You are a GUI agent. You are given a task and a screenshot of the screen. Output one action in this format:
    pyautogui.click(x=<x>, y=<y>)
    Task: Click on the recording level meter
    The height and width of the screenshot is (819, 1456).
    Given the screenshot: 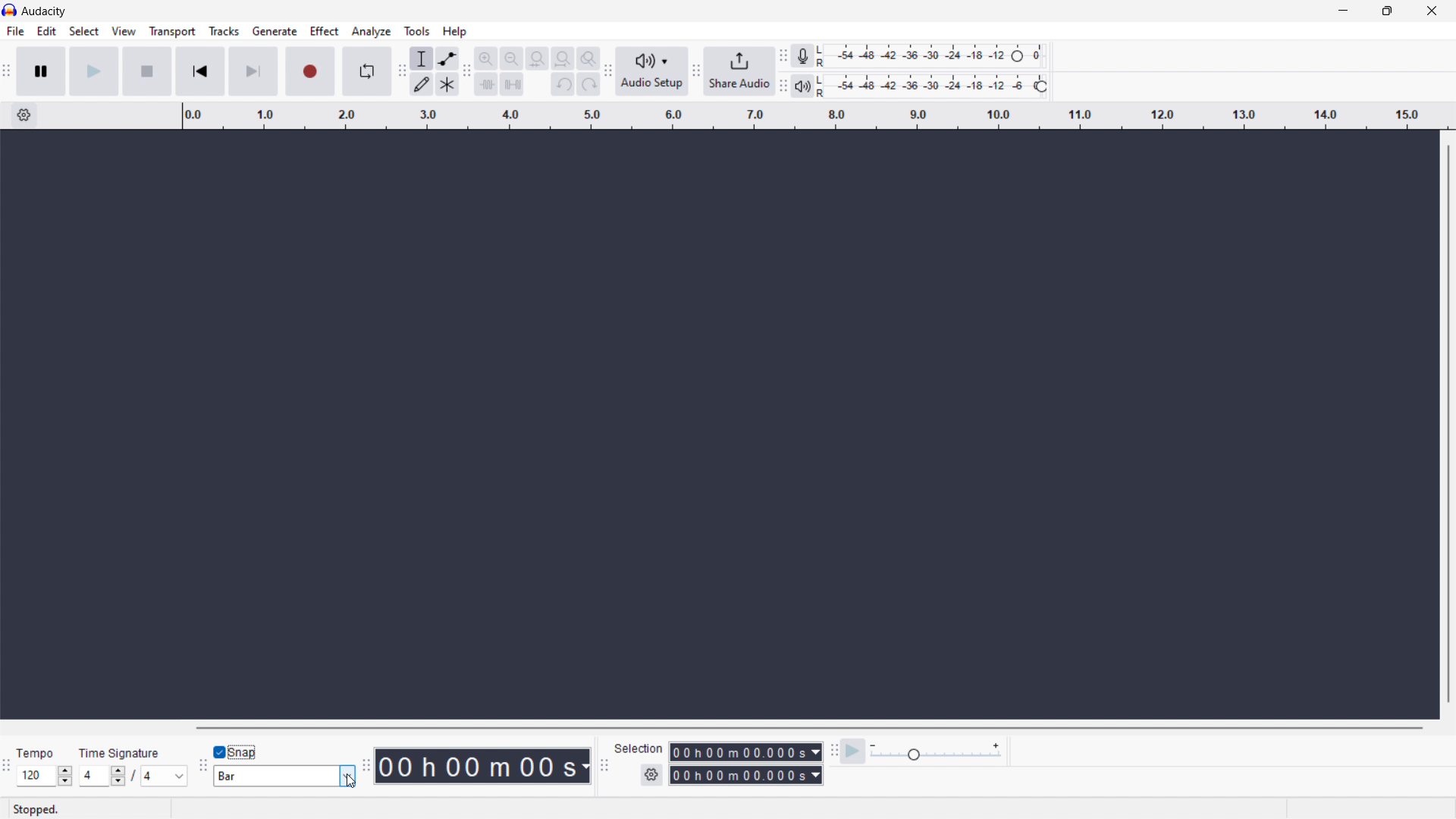 What is the action you would take?
    pyautogui.click(x=933, y=56)
    